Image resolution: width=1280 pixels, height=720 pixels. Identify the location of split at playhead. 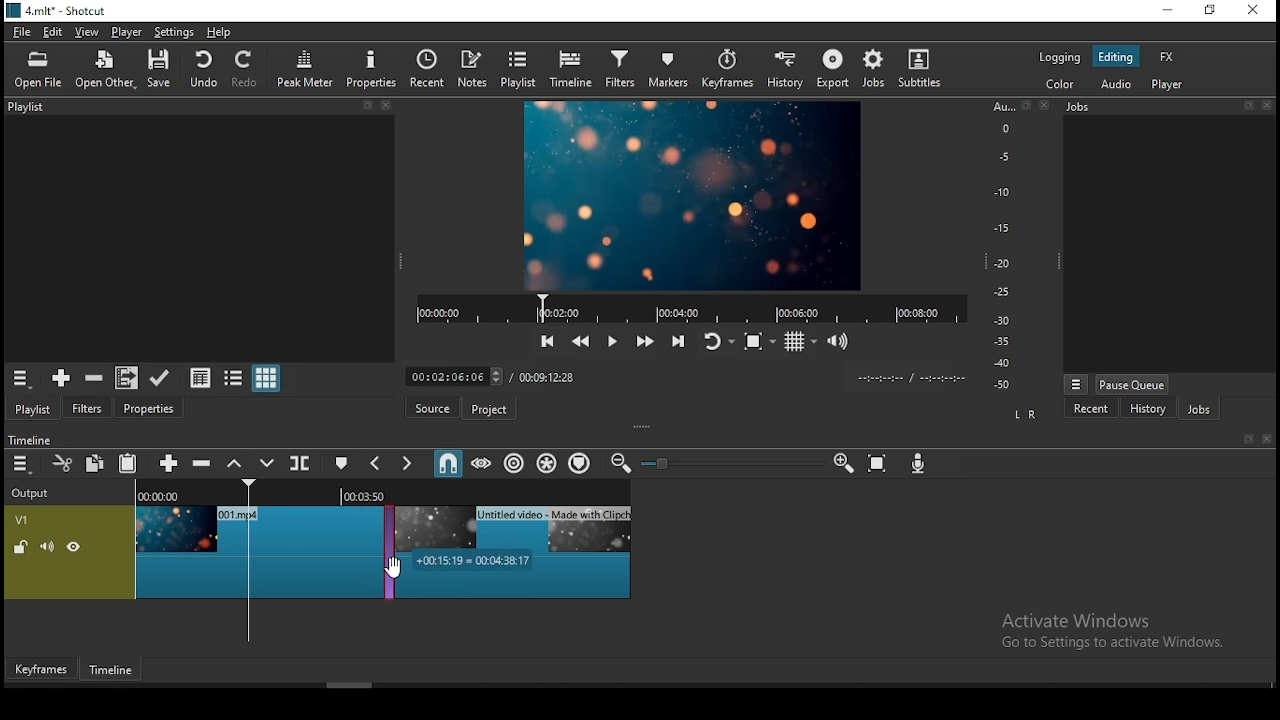
(302, 462).